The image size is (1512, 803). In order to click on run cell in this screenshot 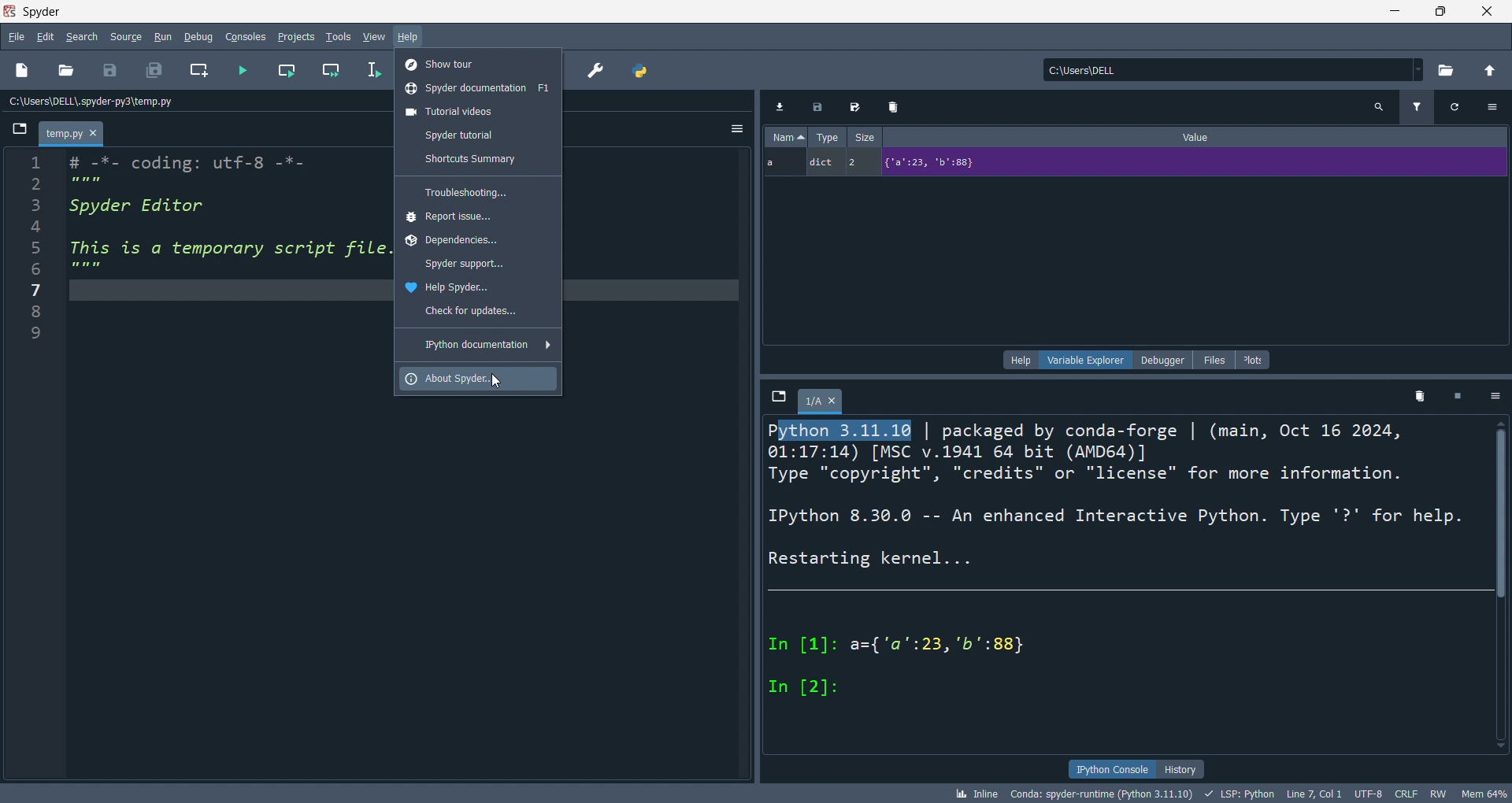, I will do `click(329, 71)`.